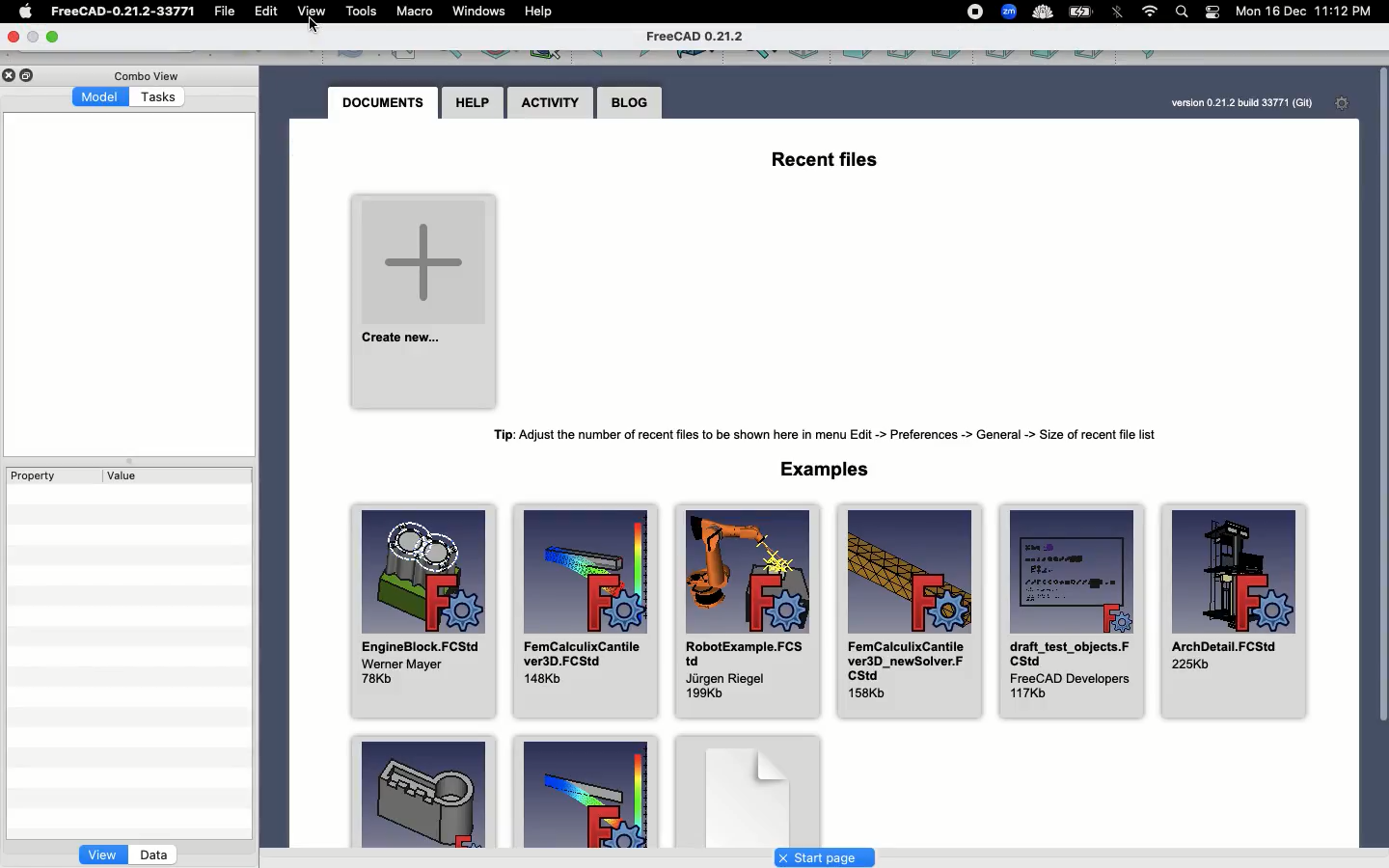  I want to click on Examples, so click(582, 794).